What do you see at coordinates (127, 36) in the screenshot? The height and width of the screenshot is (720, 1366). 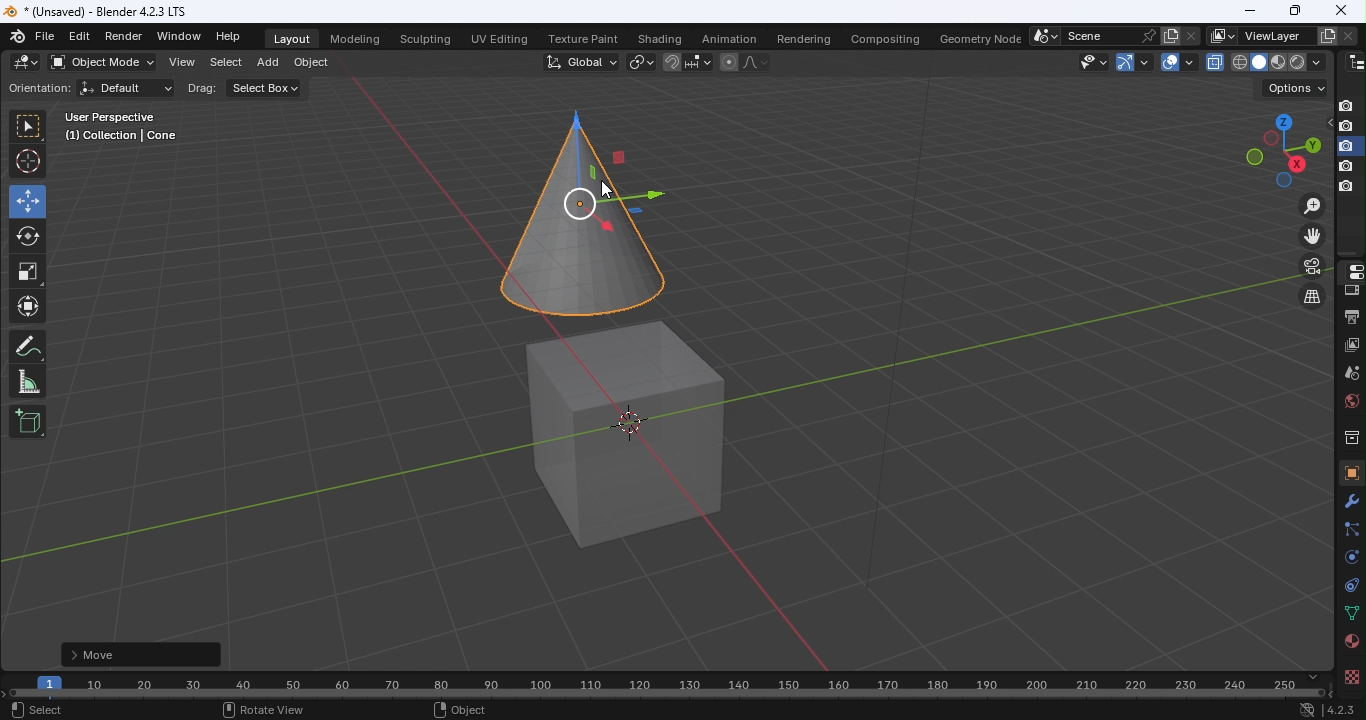 I see `Render` at bounding box center [127, 36].